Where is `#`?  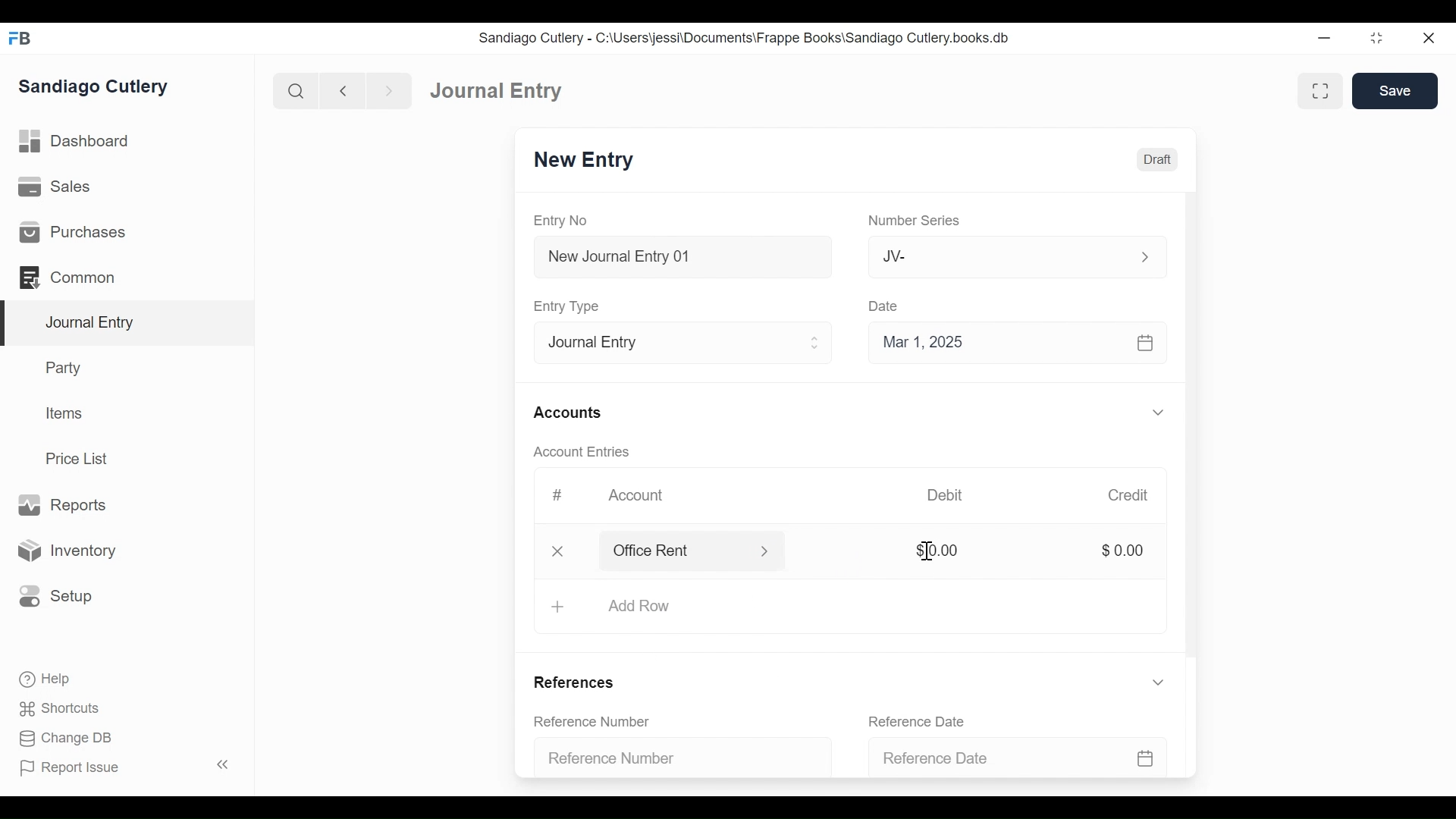
# is located at coordinates (552, 495).